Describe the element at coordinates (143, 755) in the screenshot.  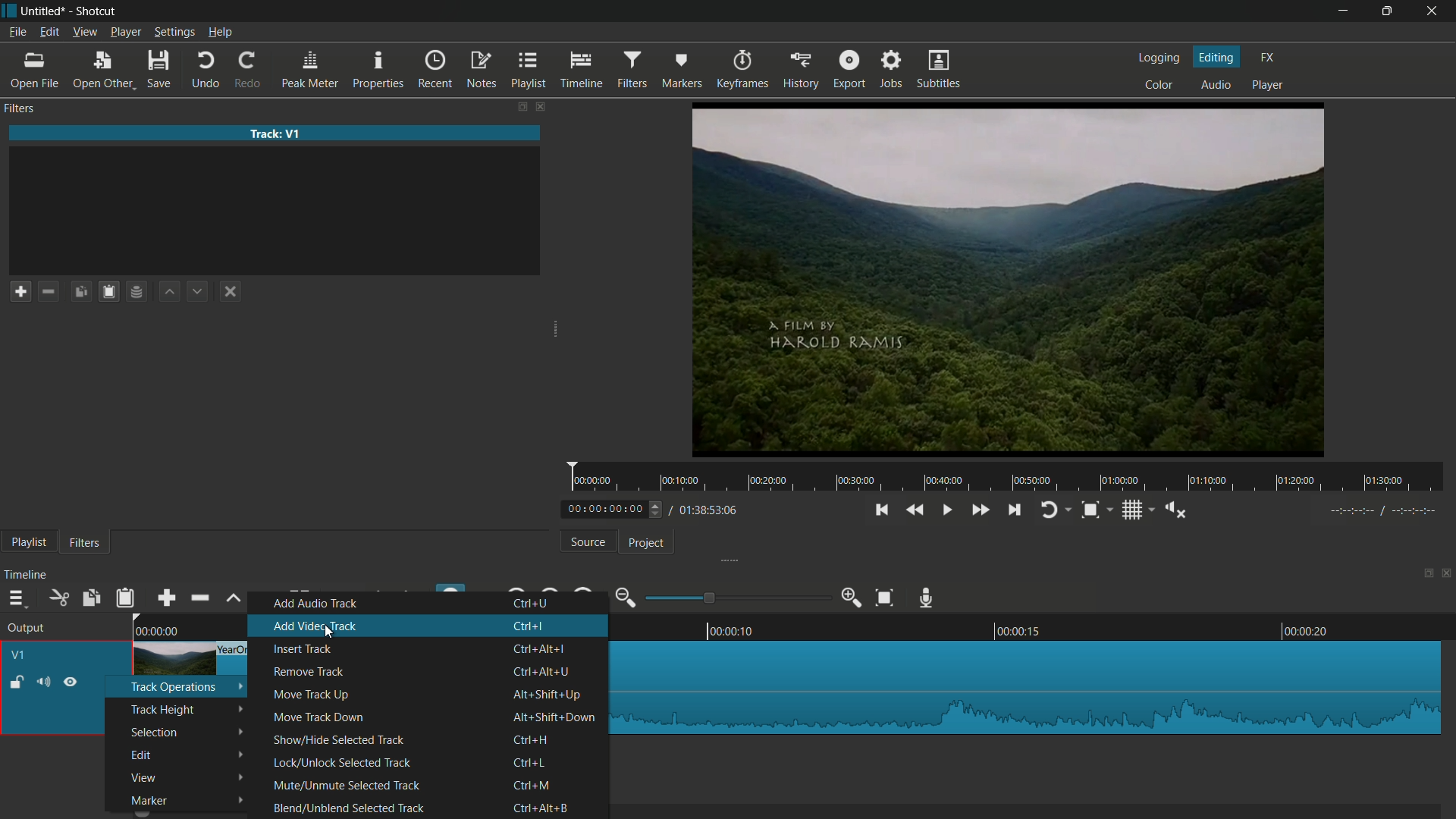
I see `edit` at that location.